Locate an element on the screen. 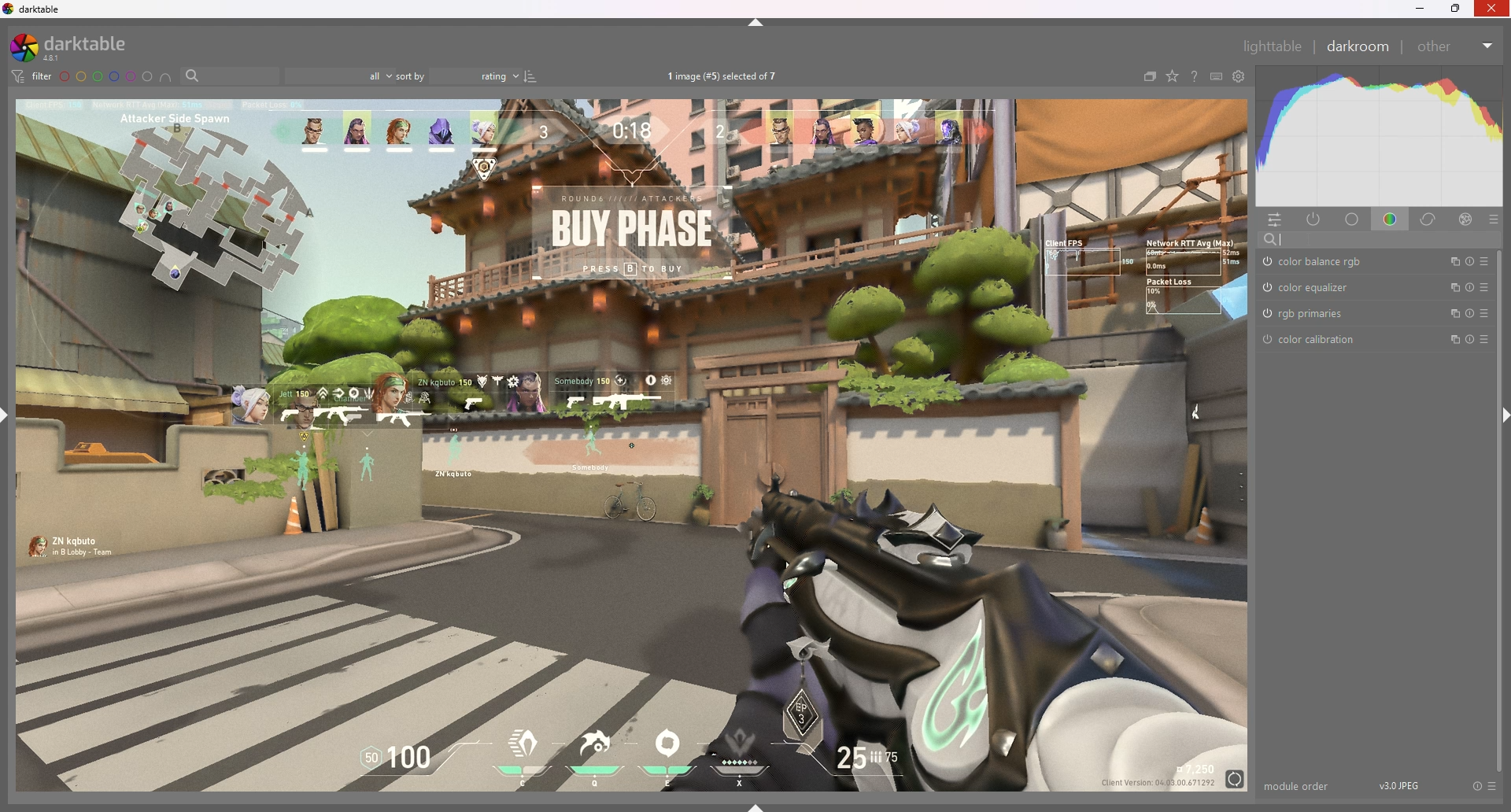 This screenshot has width=1511, height=812. minimize is located at coordinates (1420, 9).